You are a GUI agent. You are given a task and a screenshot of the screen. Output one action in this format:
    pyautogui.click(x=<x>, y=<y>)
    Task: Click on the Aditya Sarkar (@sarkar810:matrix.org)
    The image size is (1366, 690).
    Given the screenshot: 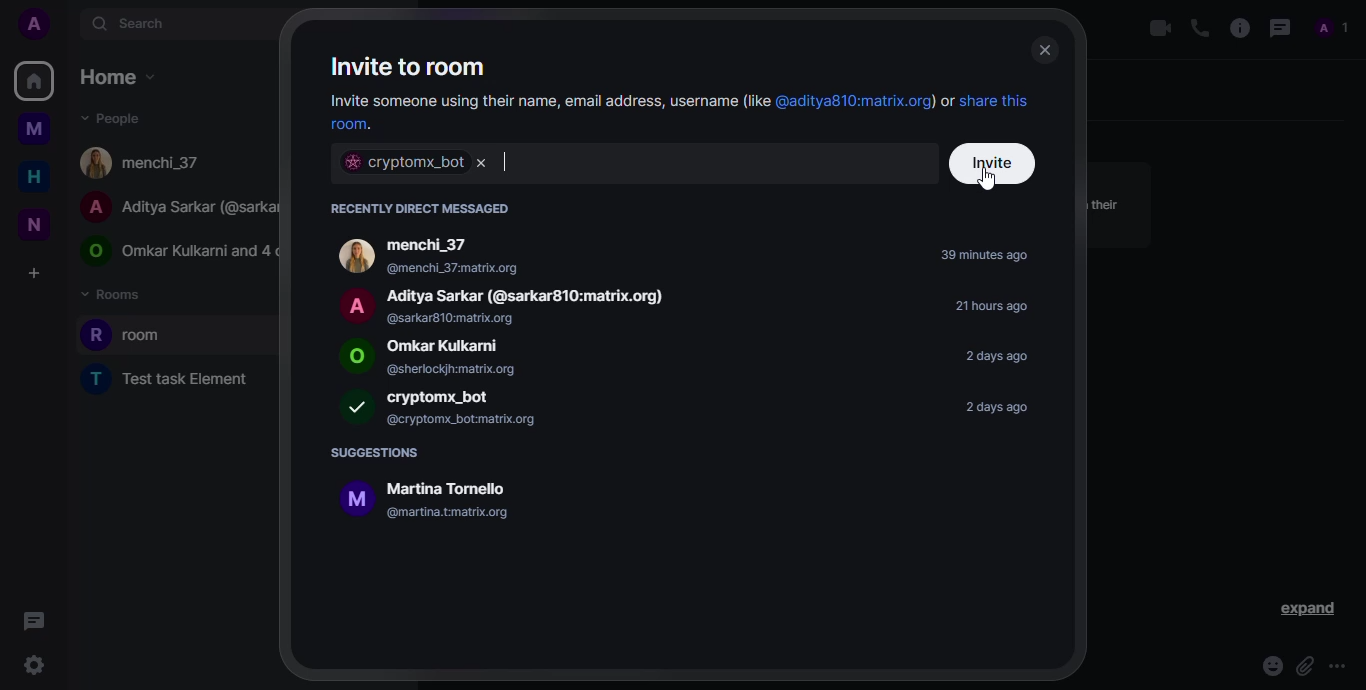 What is the action you would take?
    pyautogui.click(x=526, y=297)
    